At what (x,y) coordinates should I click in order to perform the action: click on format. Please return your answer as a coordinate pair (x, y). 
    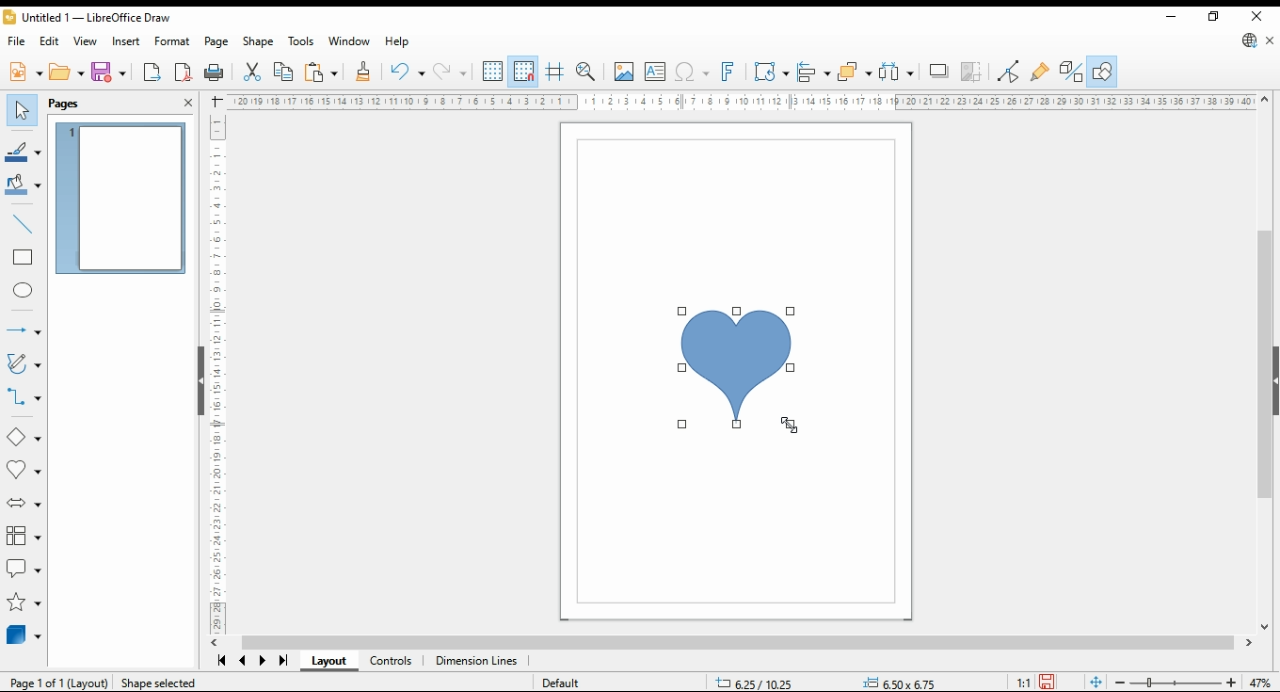
    Looking at the image, I should click on (171, 42).